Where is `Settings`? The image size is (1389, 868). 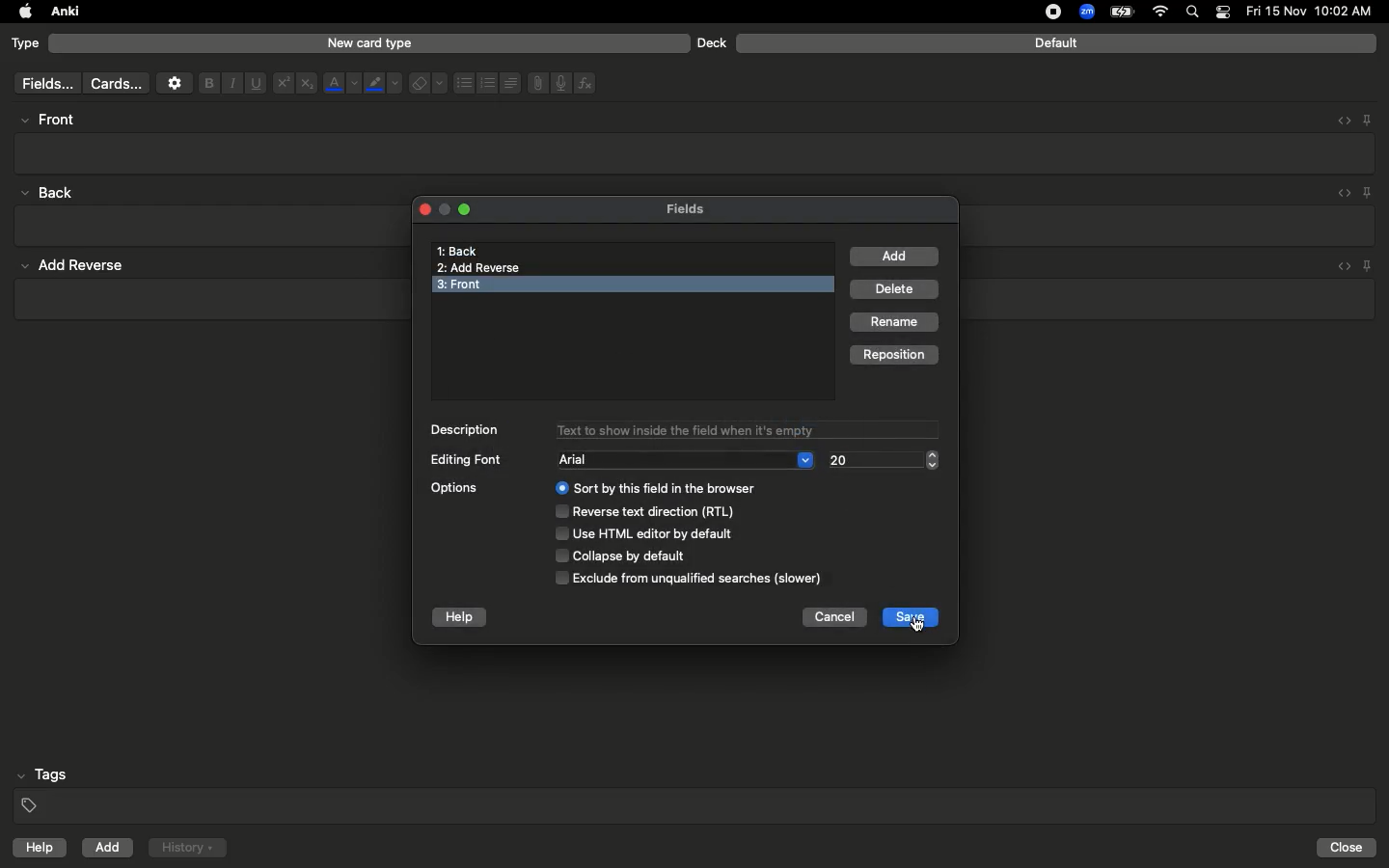
Settings is located at coordinates (175, 83).